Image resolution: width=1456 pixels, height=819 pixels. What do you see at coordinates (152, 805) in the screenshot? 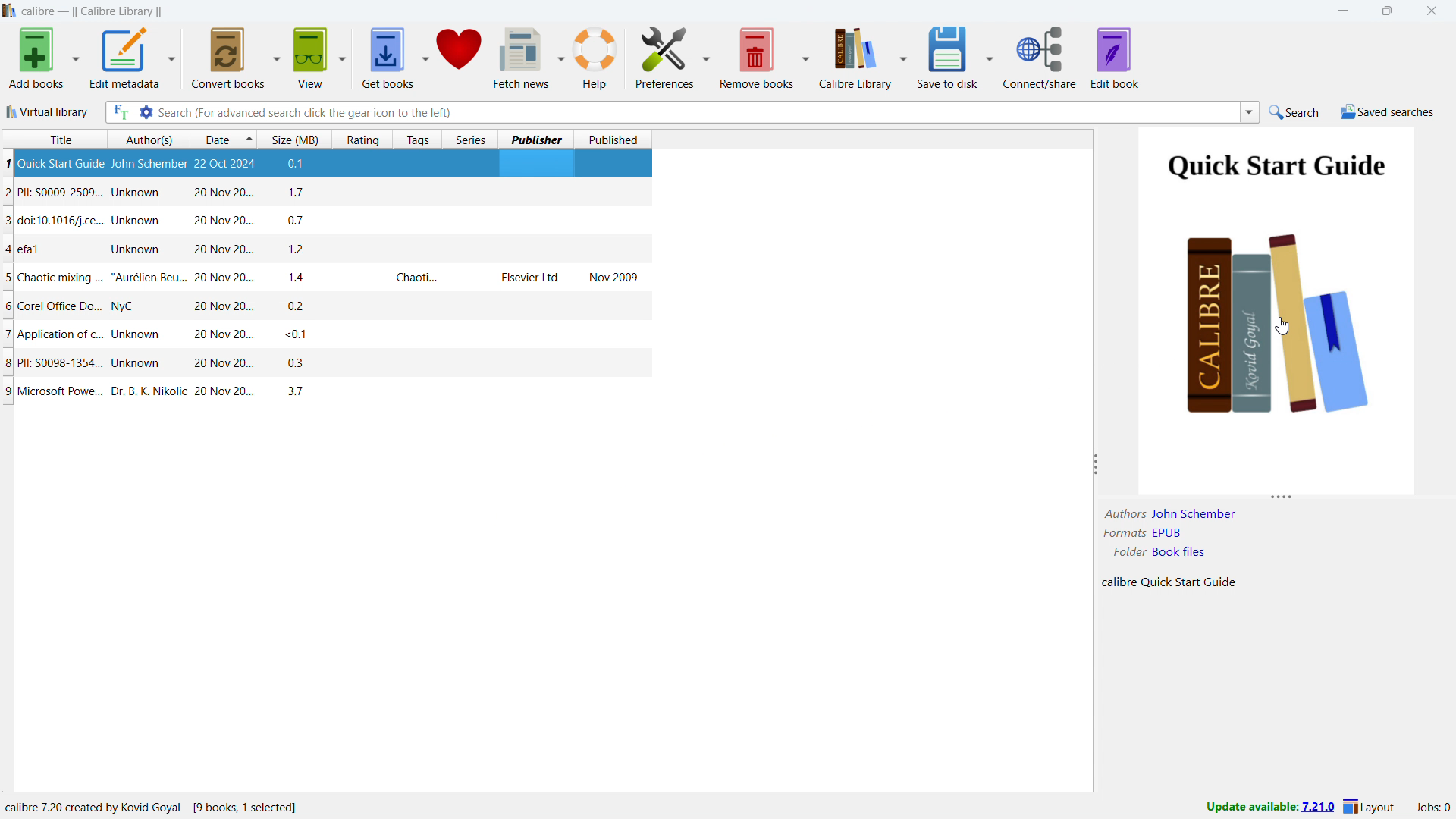
I see `alibre 7.20 created by Kovid Goyal` at bounding box center [152, 805].